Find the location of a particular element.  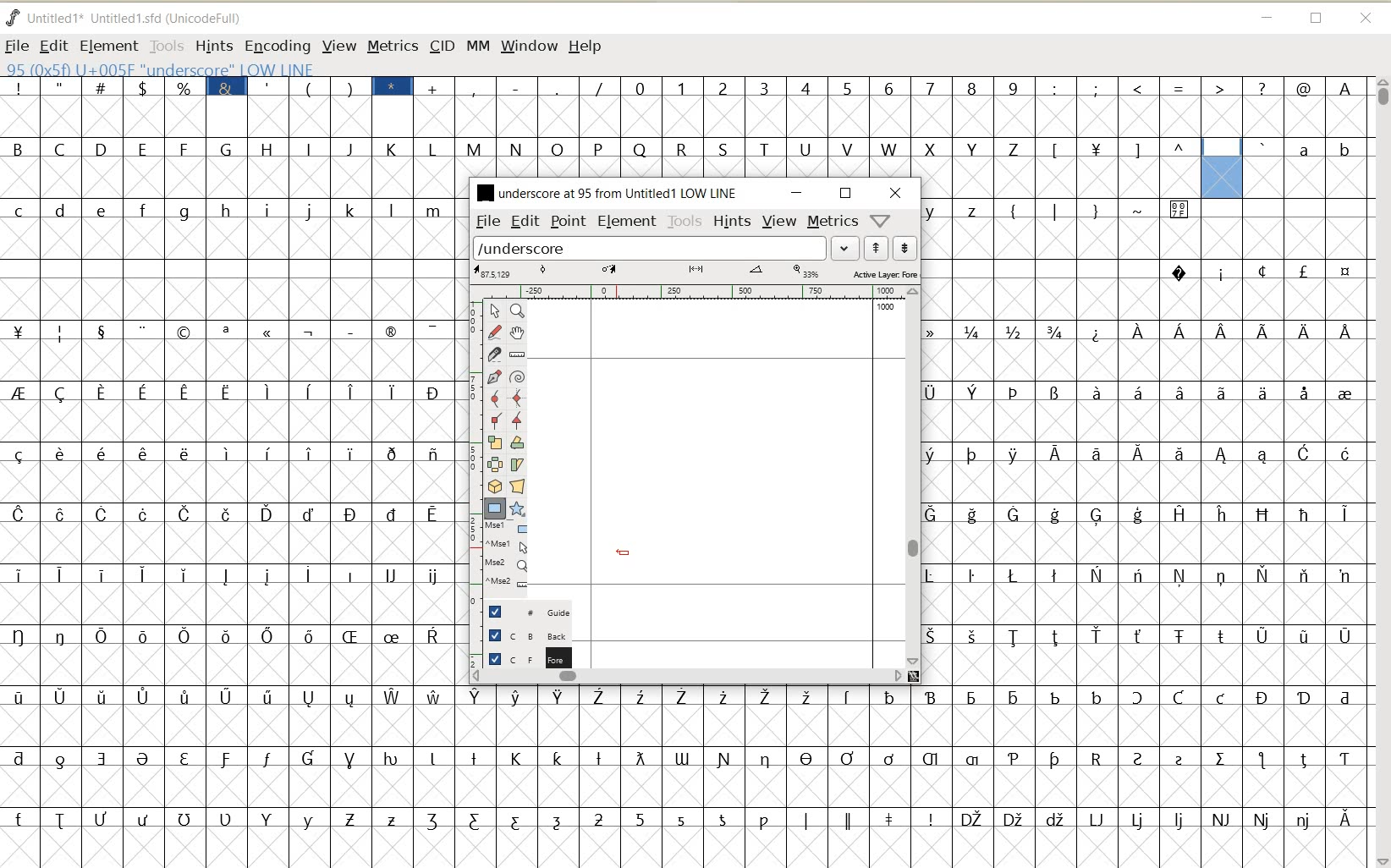

add a curve point is located at coordinates (494, 398).